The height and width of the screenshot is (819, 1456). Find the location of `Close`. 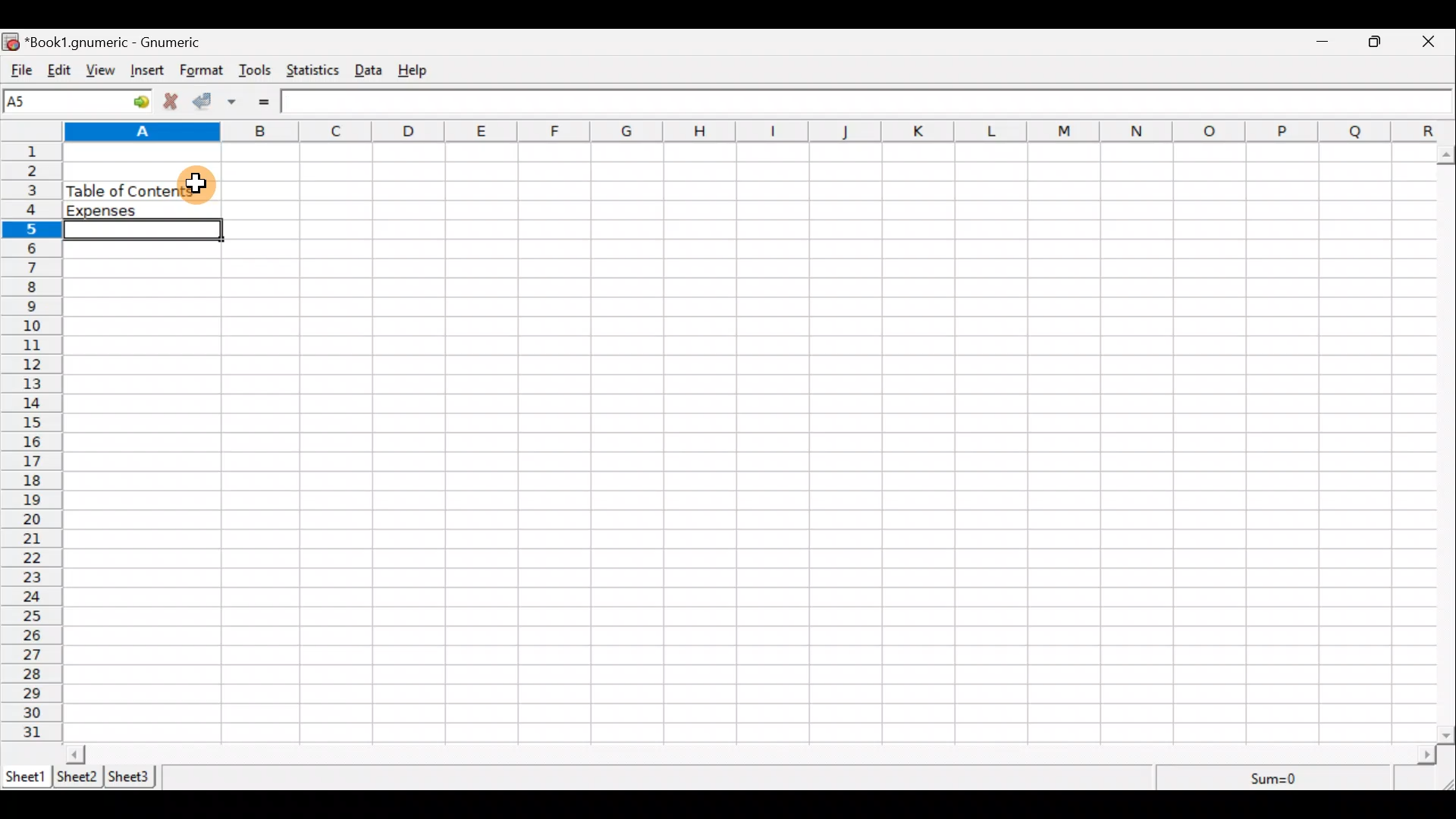

Close is located at coordinates (1435, 42).